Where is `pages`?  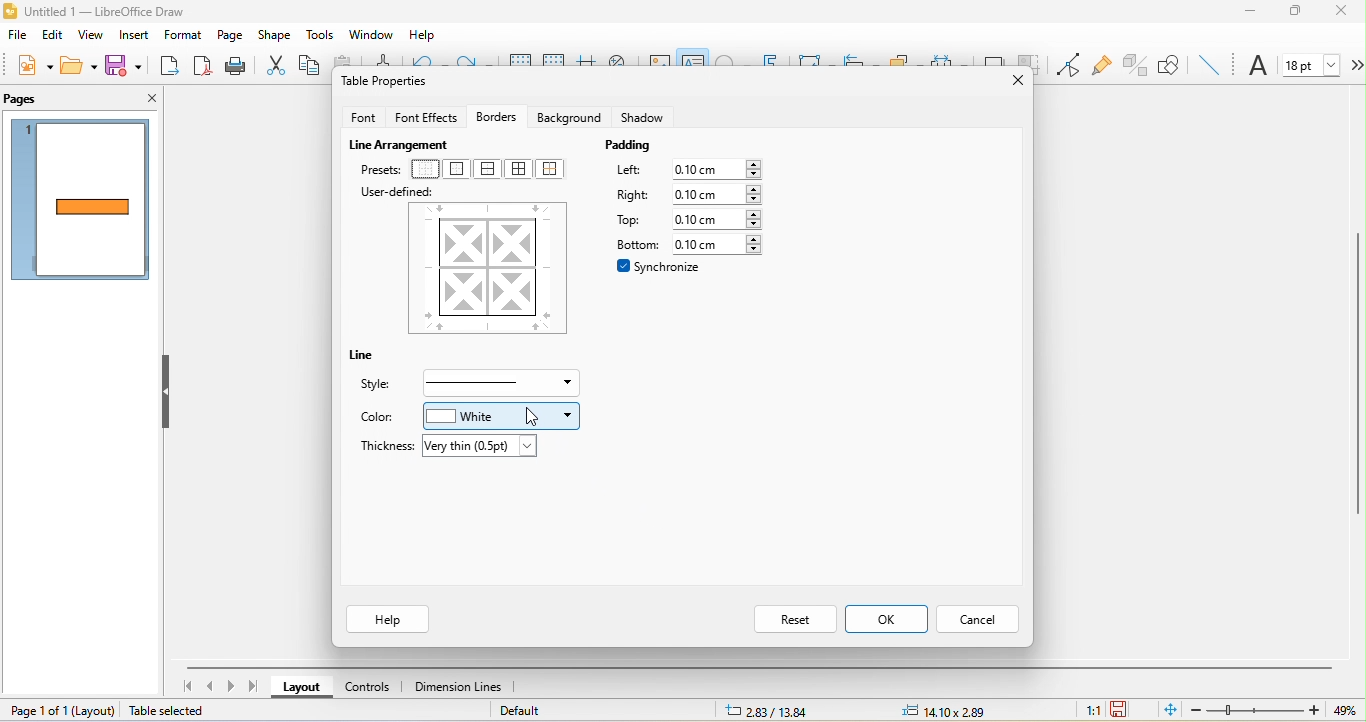 pages is located at coordinates (24, 99).